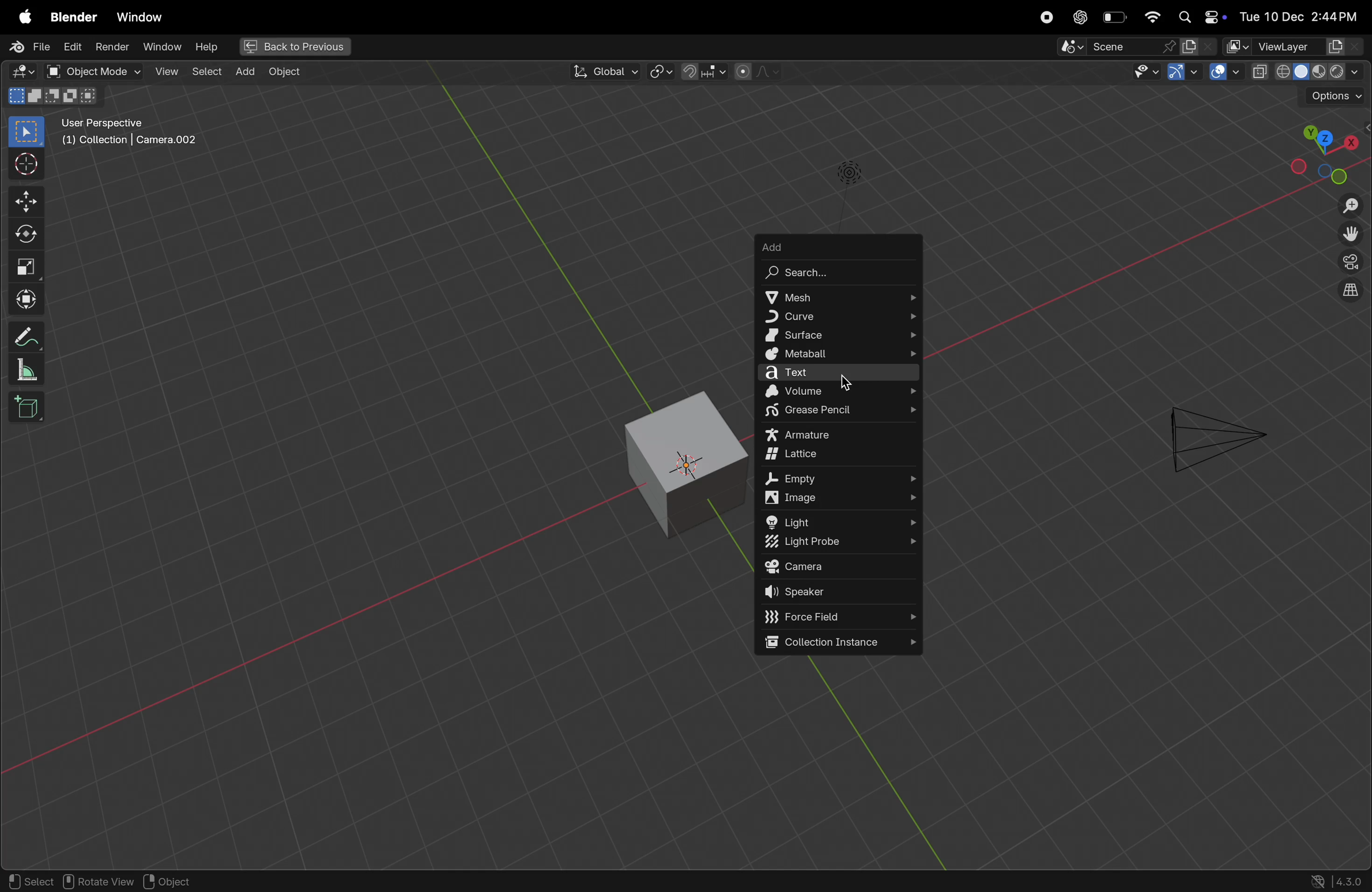 The image size is (1372, 892). What do you see at coordinates (196, 880) in the screenshot?
I see `3D cursor` at bounding box center [196, 880].